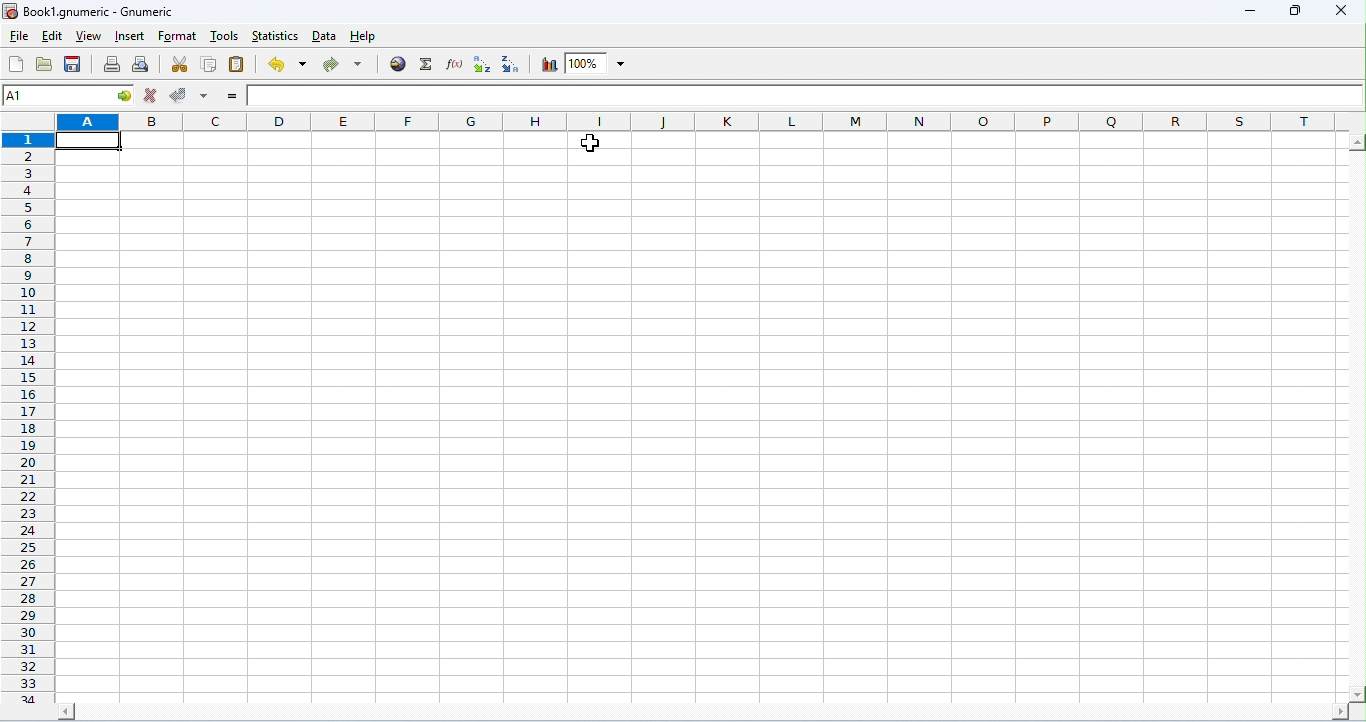 The width and height of the screenshot is (1366, 722). I want to click on Book1 gnumeric - Gnumeric, so click(91, 11).